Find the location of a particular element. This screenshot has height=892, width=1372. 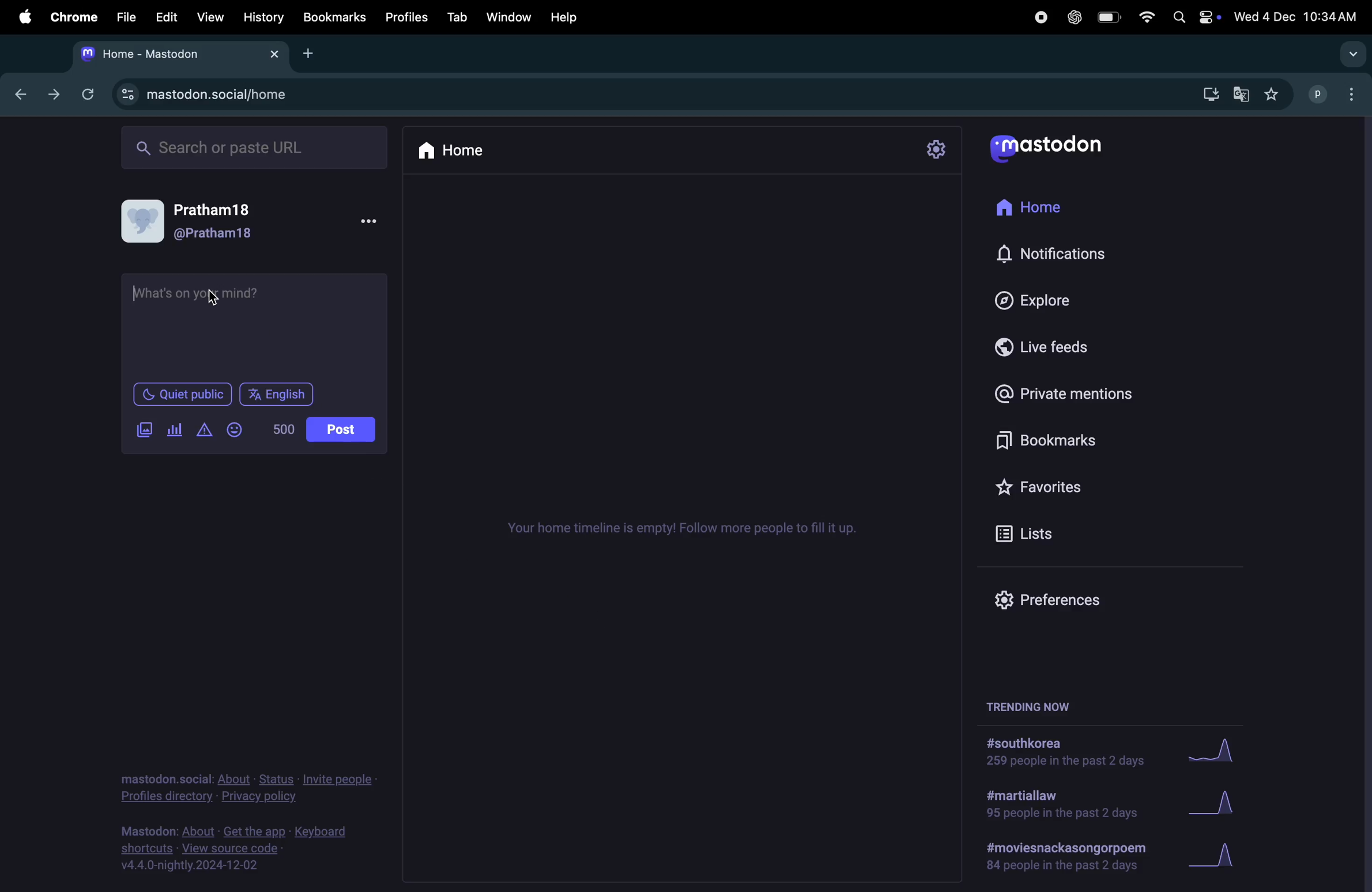

go back is located at coordinates (17, 92).